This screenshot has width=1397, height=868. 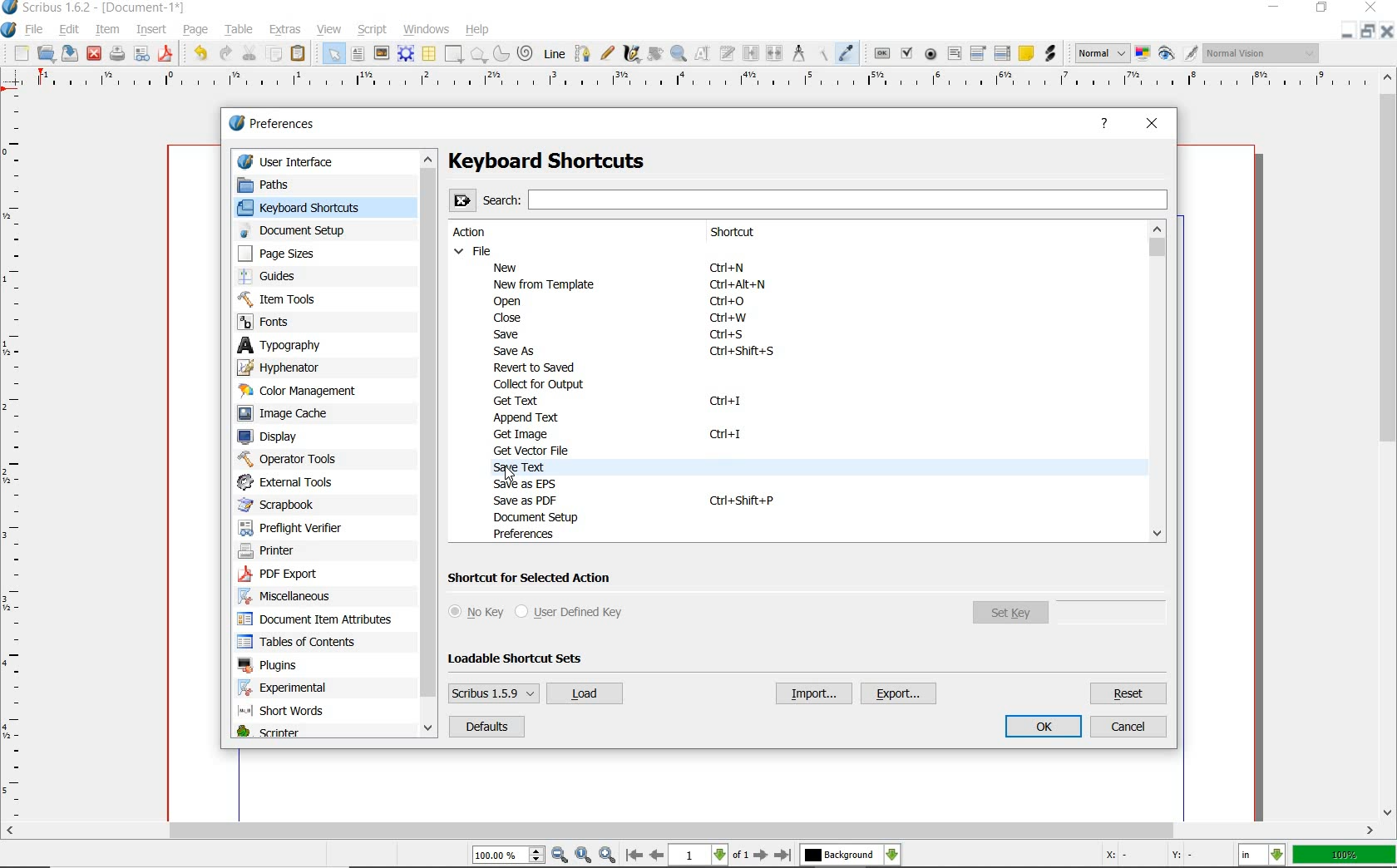 I want to click on document setup, so click(x=550, y=517).